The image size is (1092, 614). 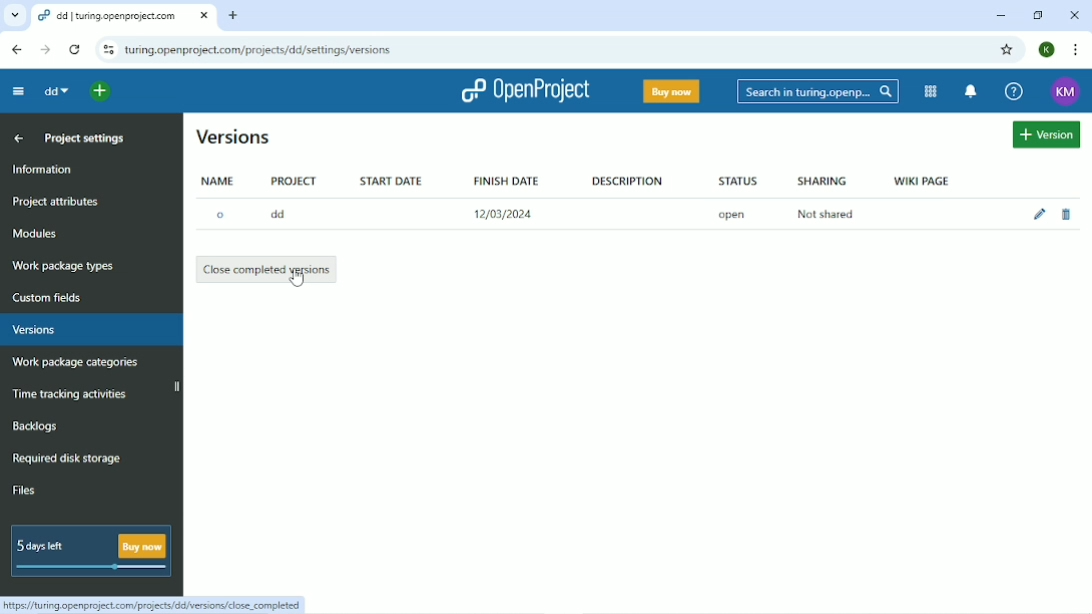 What do you see at coordinates (123, 15) in the screenshot?
I see `dd|turing.openproject.com` at bounding box center [123, 15].